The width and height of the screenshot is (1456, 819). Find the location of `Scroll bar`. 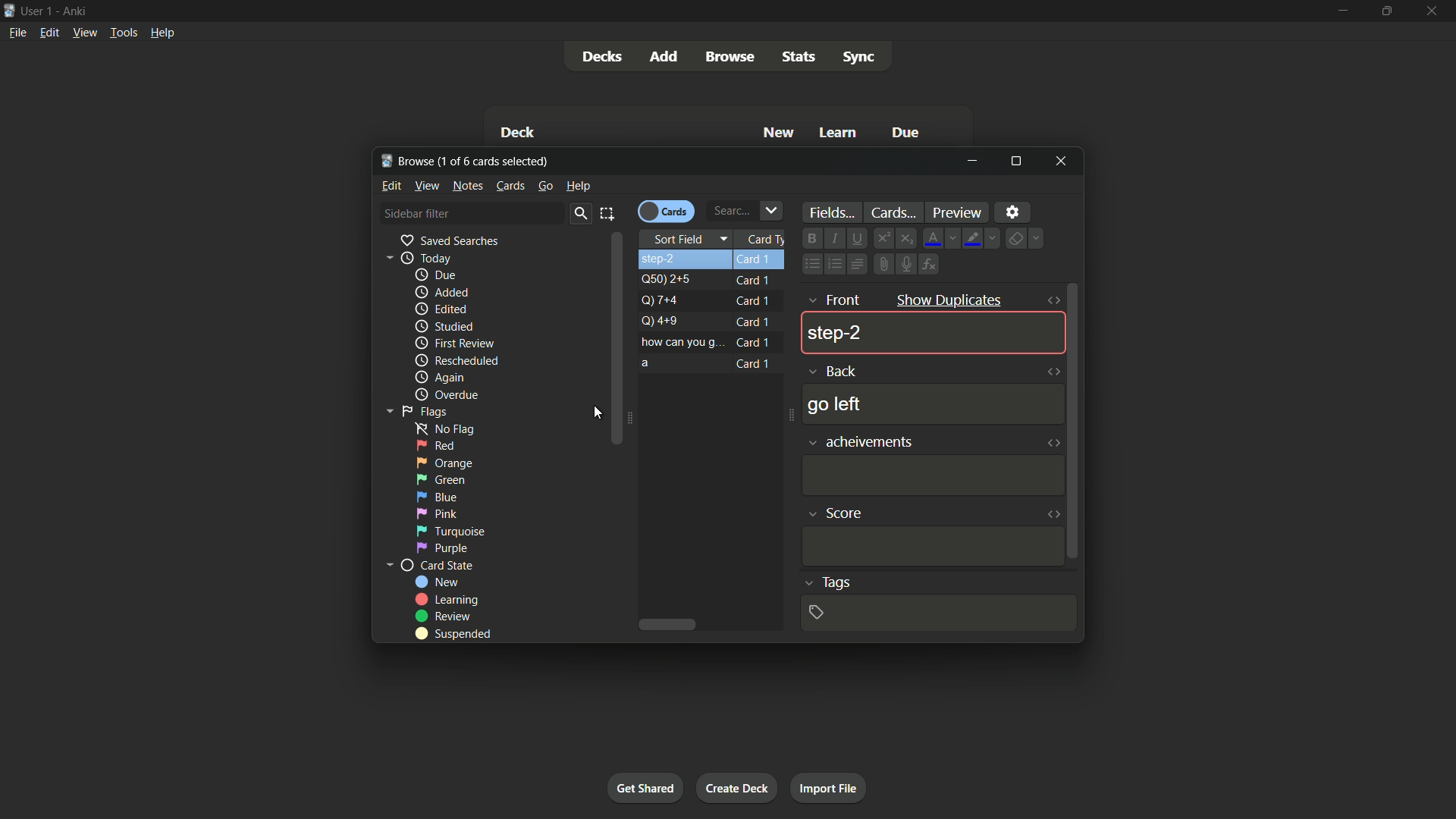

Scroll bar is located at coordinates (618, 339).